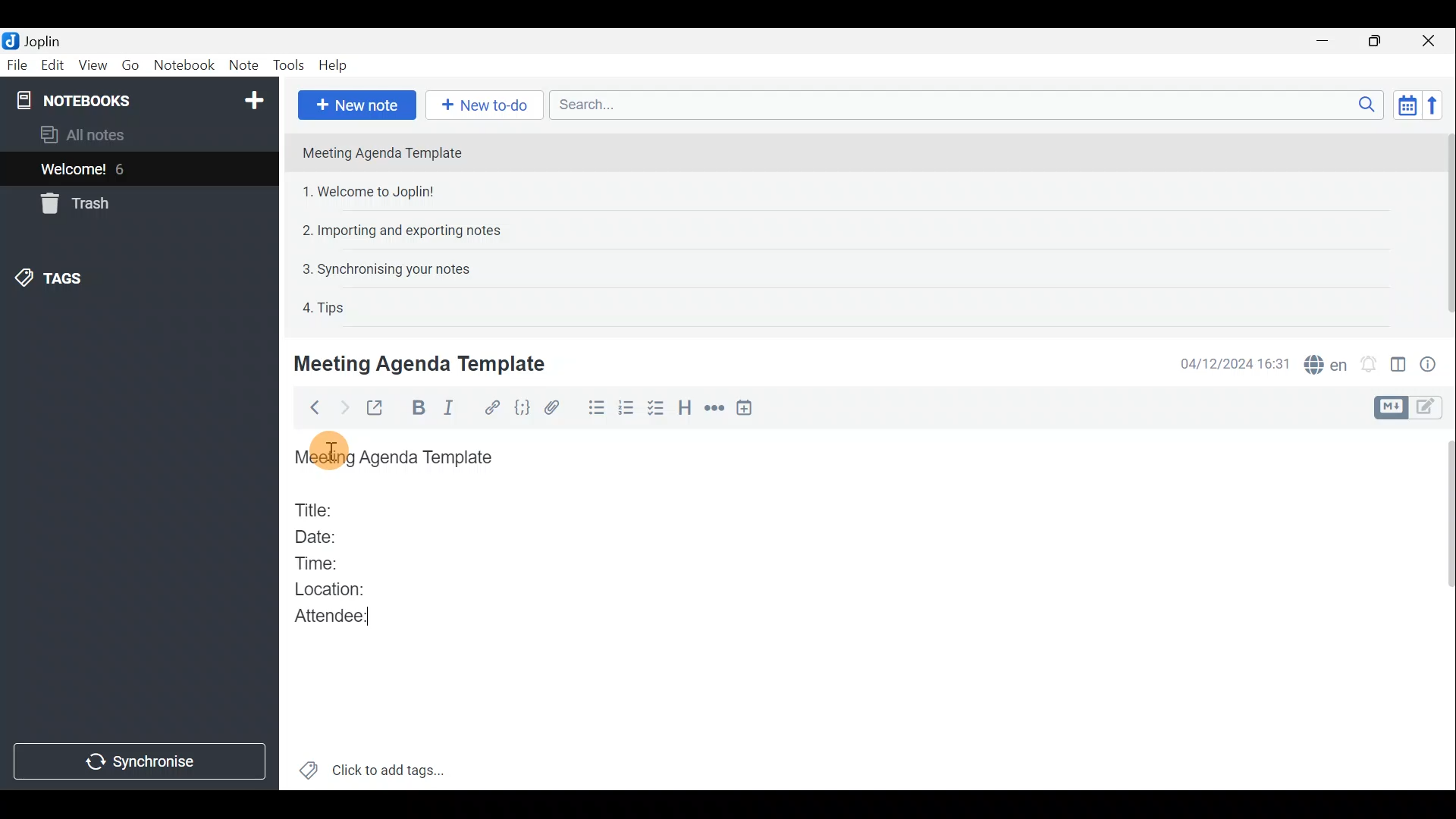  I want to click on Insert time, so click(748, 410).